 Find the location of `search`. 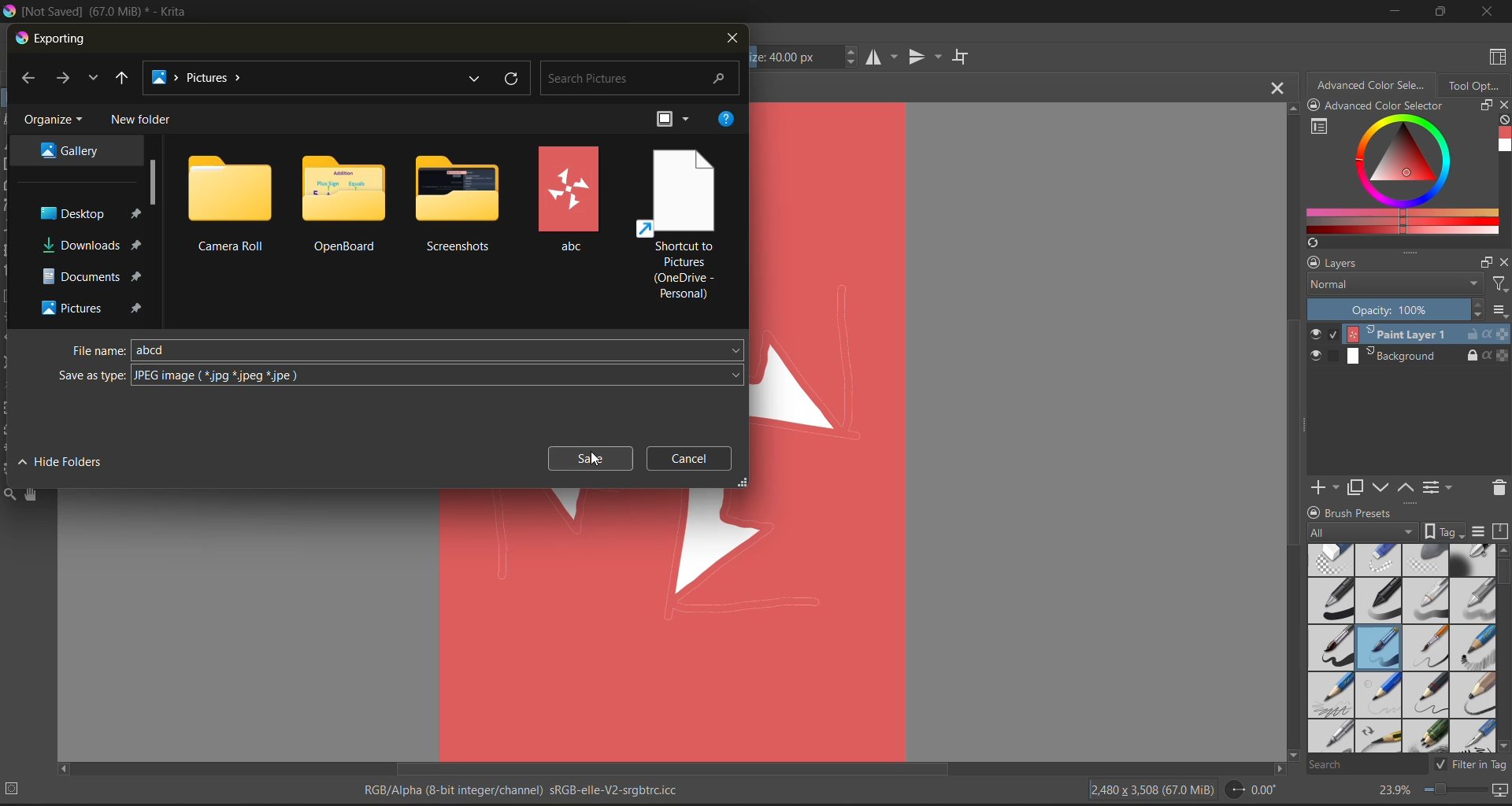

search is located at coordinates (1368, 765).